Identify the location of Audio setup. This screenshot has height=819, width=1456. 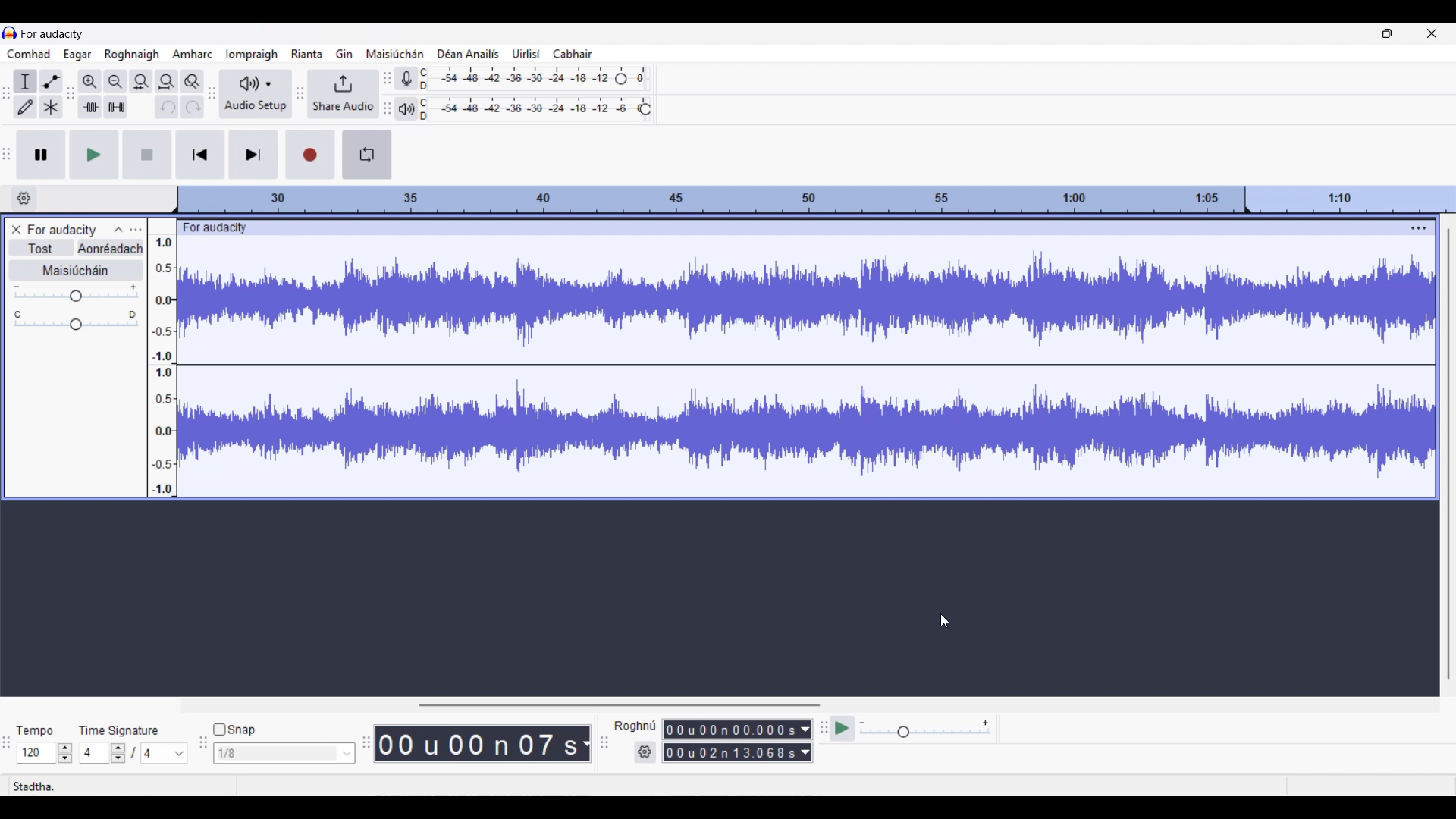
(256, 93).